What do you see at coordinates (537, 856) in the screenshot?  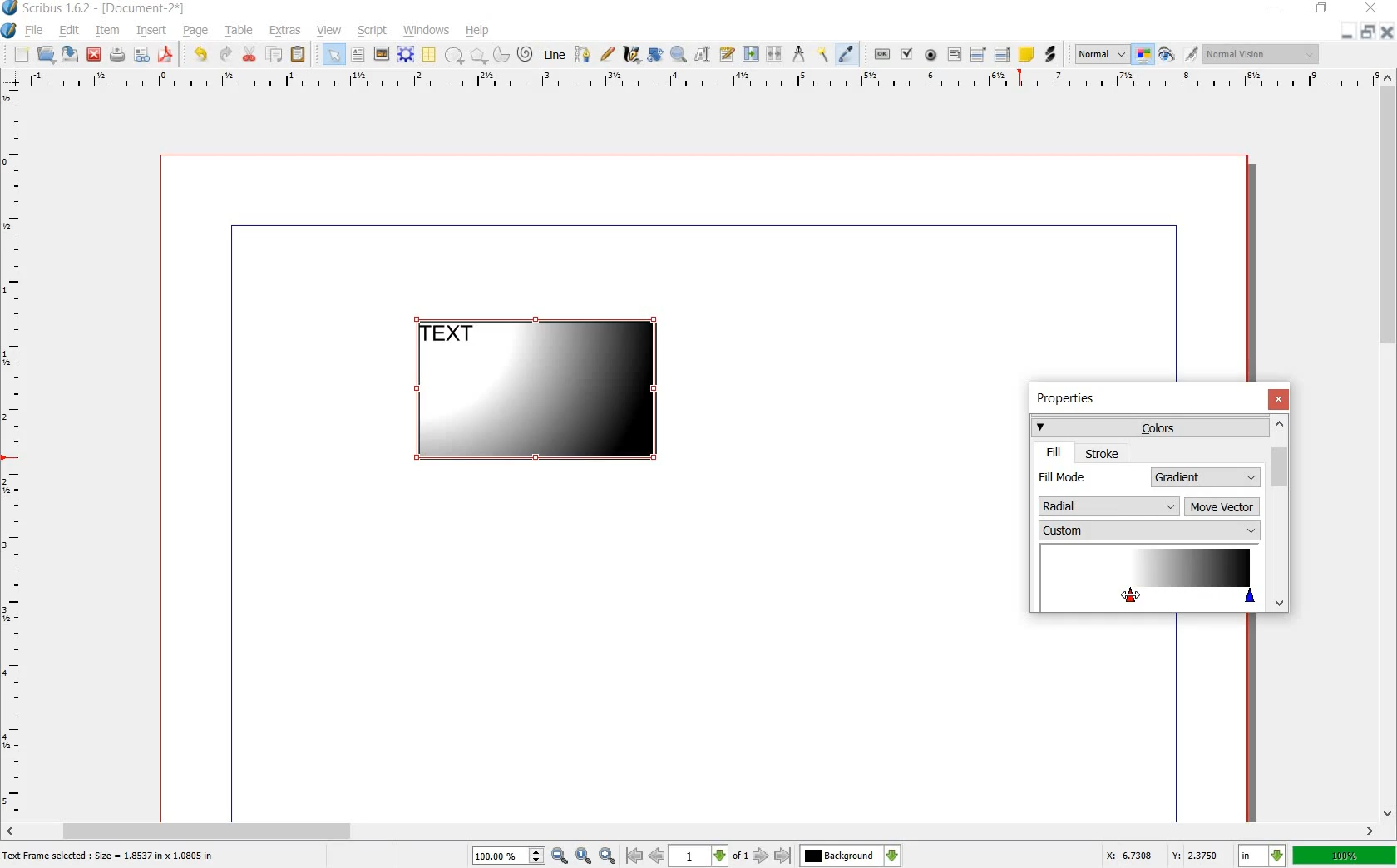 I see `Increase or decrease zoom value` at bounding box center [537, 856].